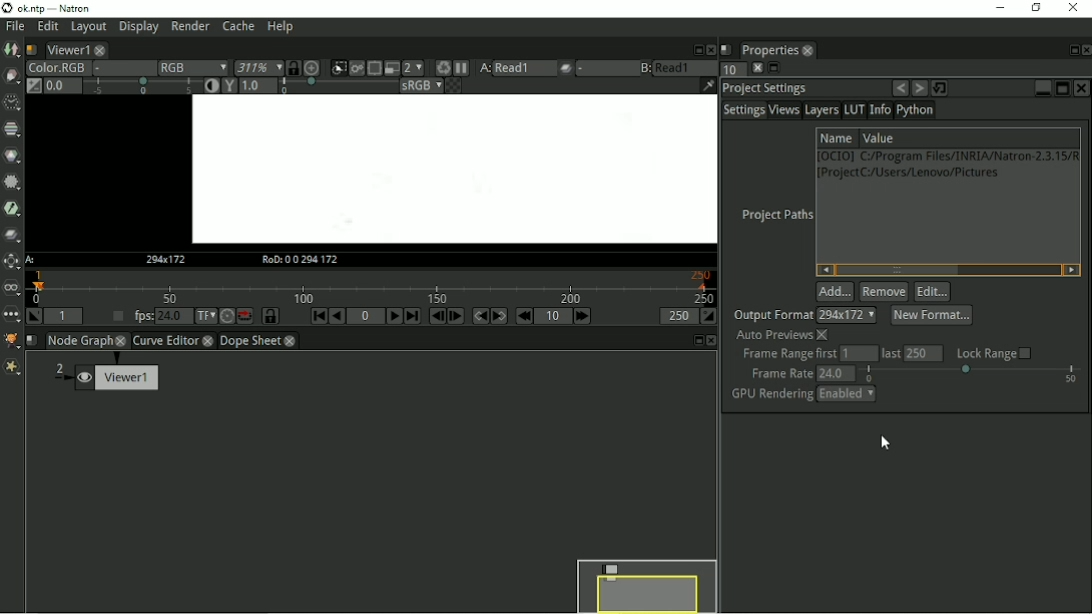 This screenshot has width=1092, height=614. What do you see at coordinates (1039, 88) in the screenshot?
I see `Minimize` at bounding box center [1039, 88].